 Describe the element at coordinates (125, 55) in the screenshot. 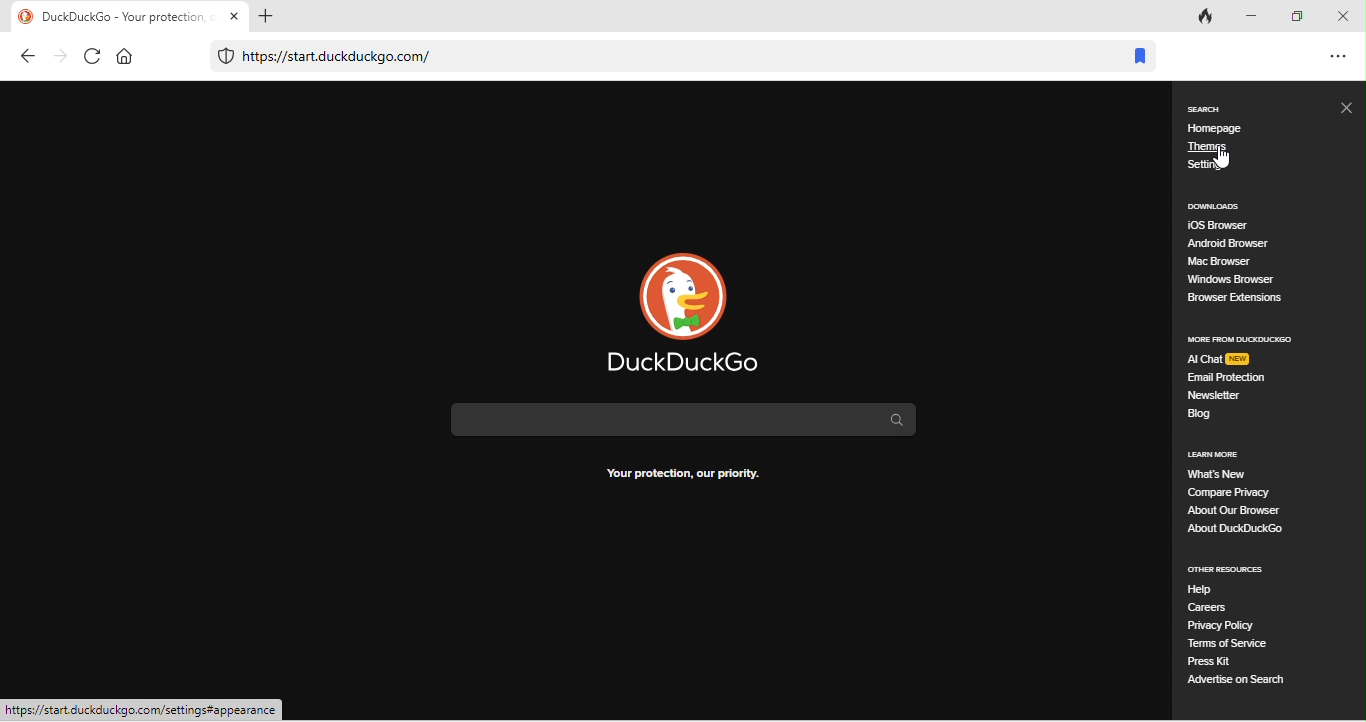

I see `home` at that location.